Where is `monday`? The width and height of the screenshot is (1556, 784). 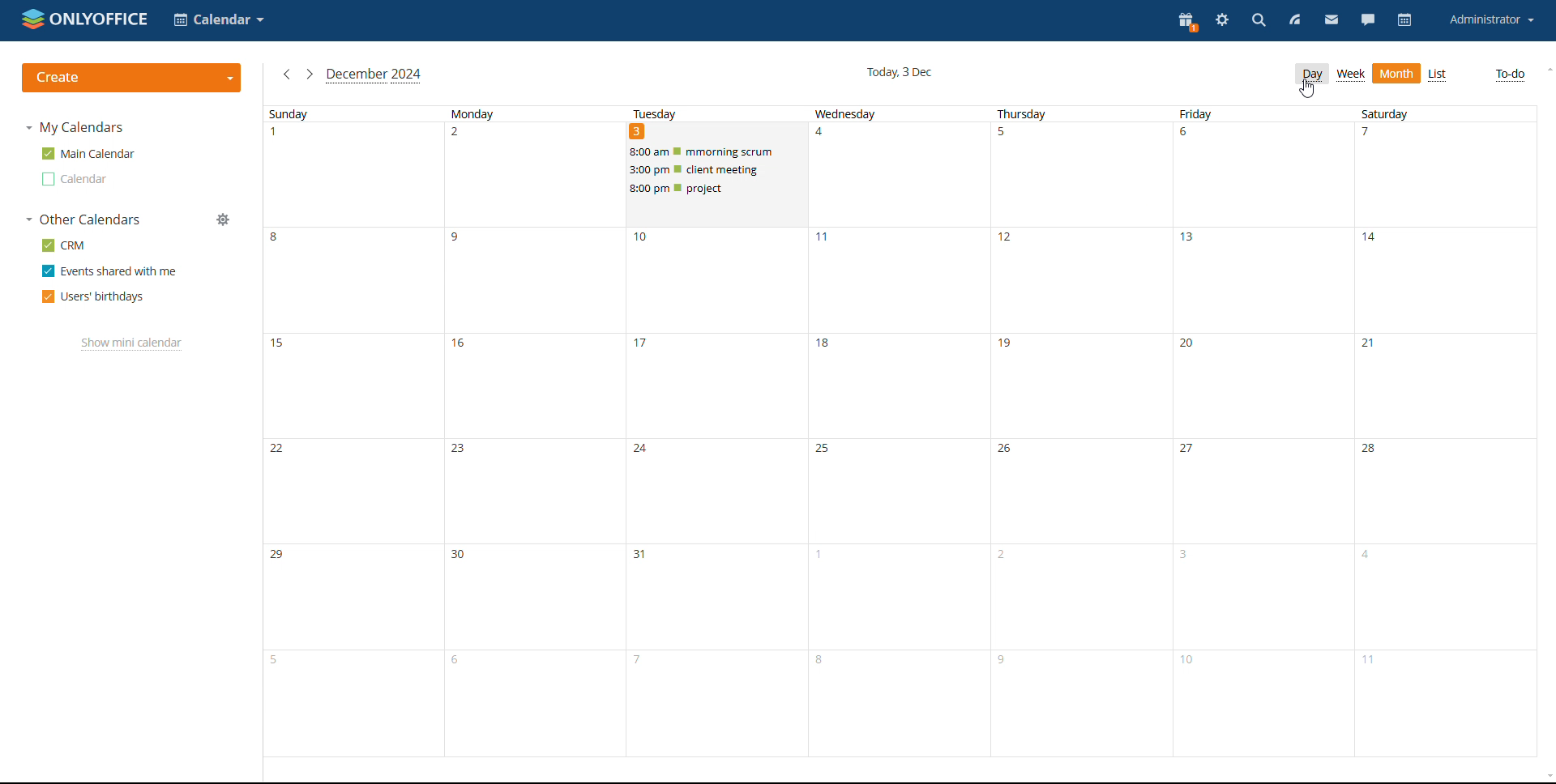
monday is located at coordinates (536, 431).